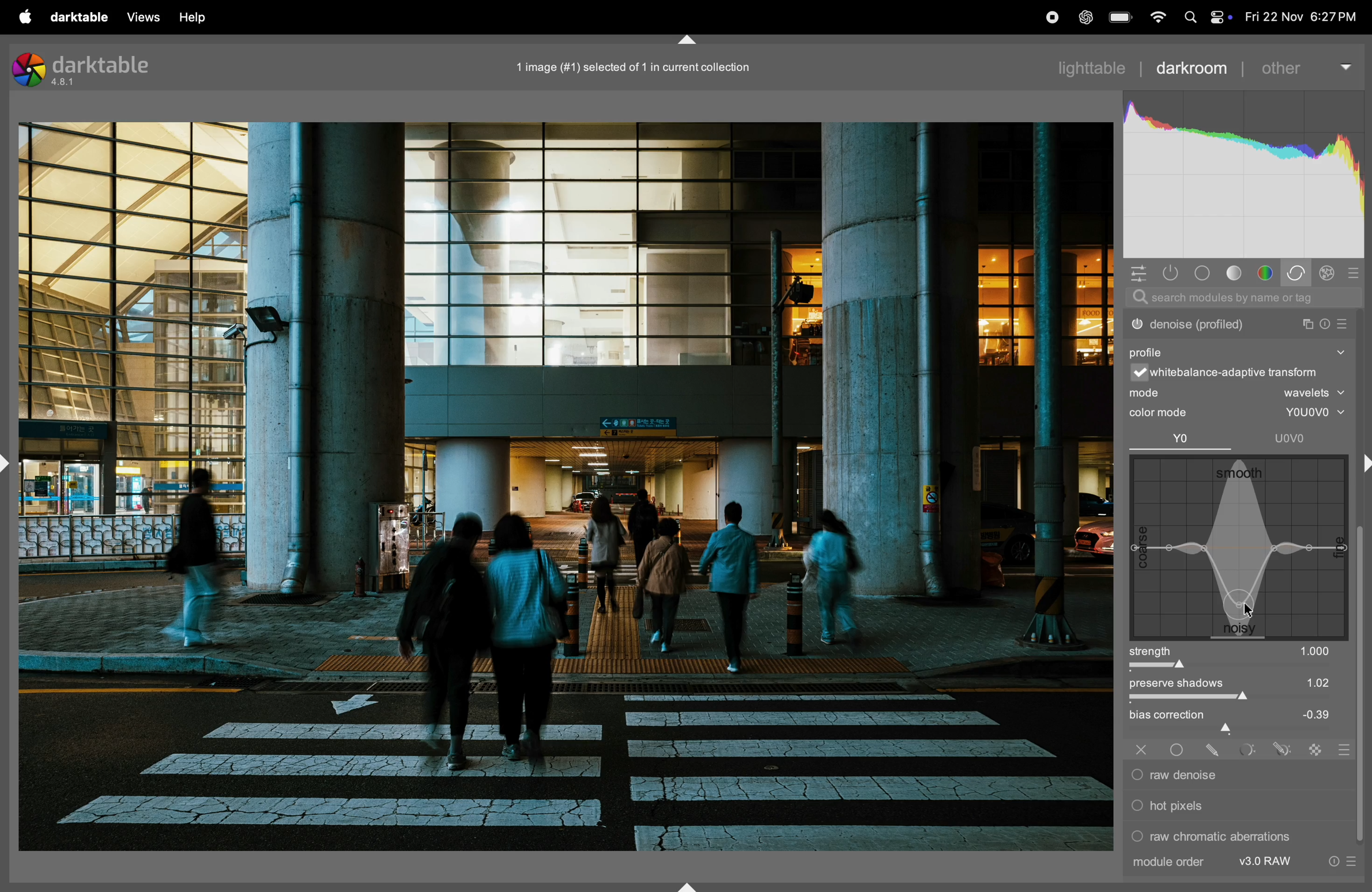 The width and height of the screenshot is (1372, 892). What do you see at coordinates (1220, 18) in the screenshot?
I see `apple widgets` at bounding box center [1220, 18].